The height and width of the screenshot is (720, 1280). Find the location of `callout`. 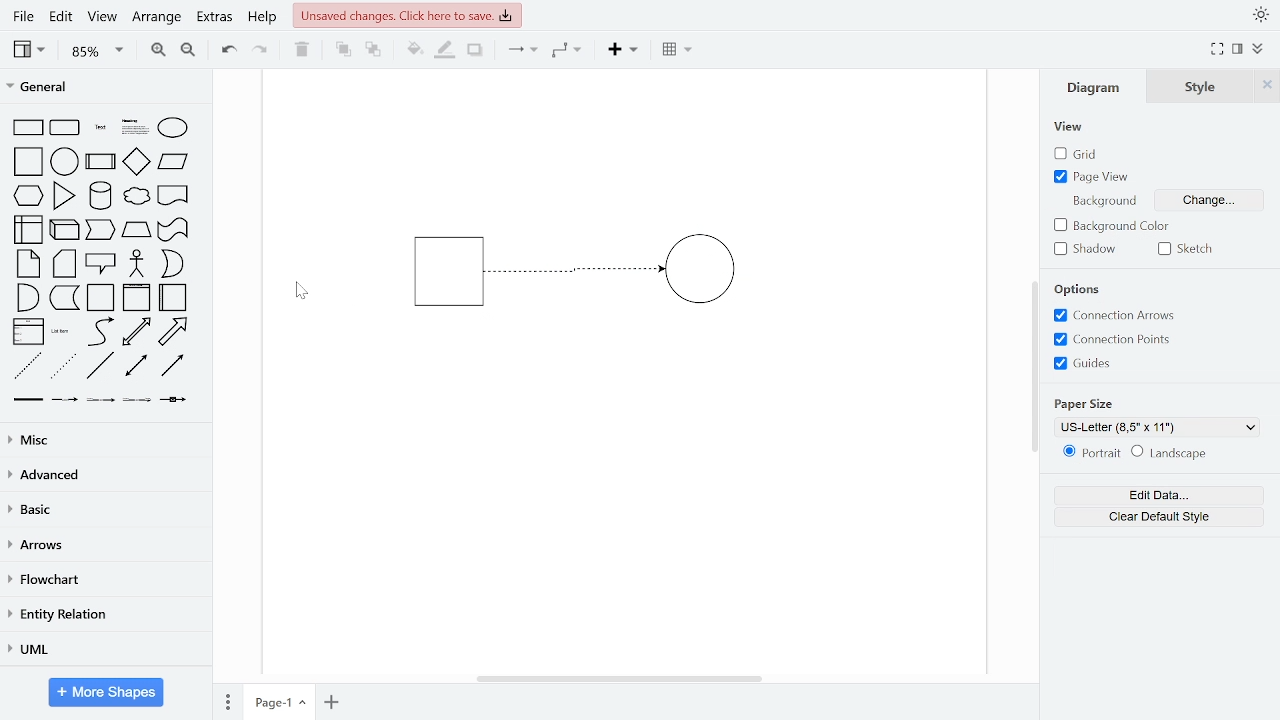

callout is located at coordinates (102, 264).